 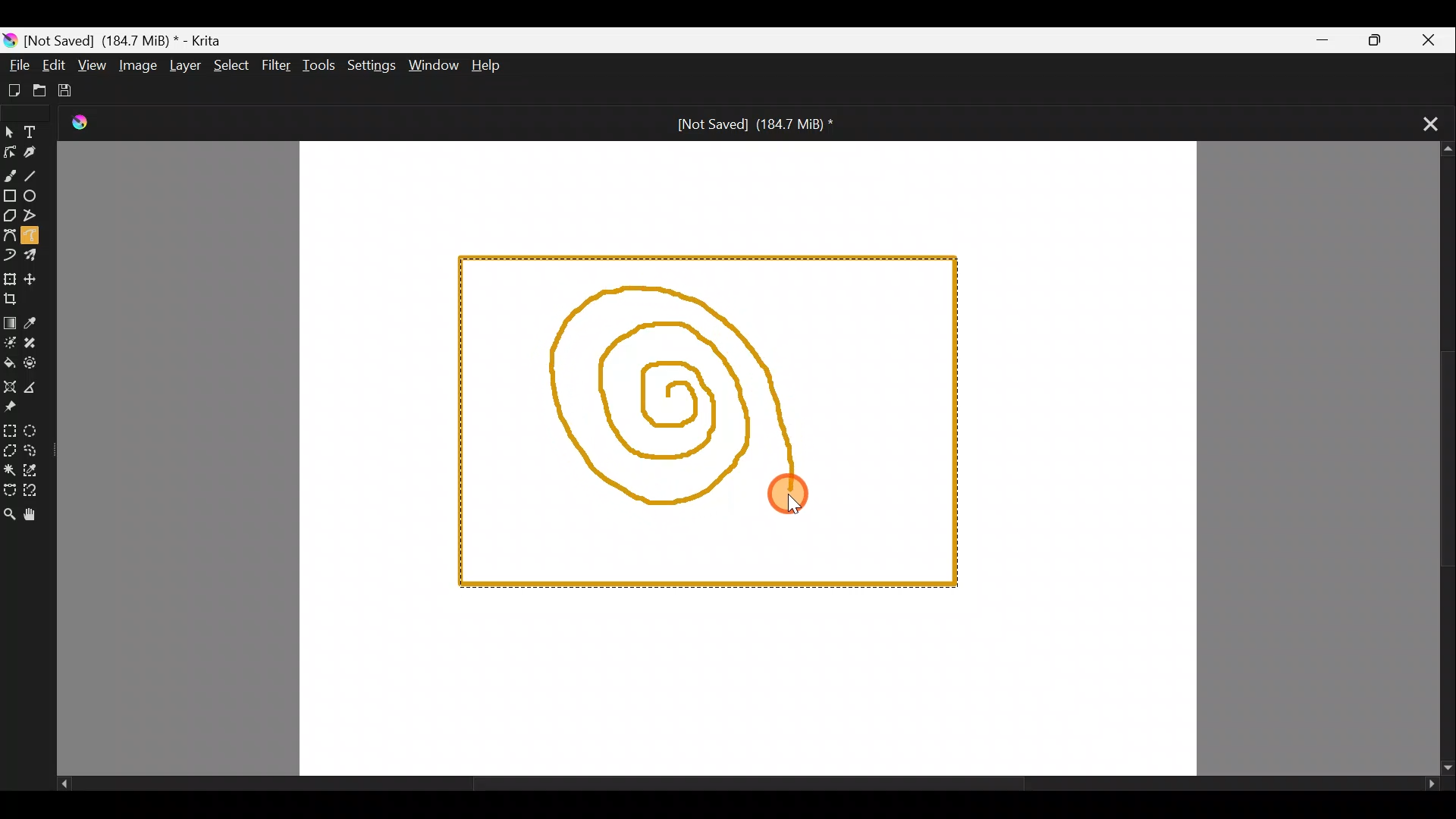 What do you see at coordinates (40, 90) in the screenshot?
I see `Open existing document` at bounding box center [40, 90].